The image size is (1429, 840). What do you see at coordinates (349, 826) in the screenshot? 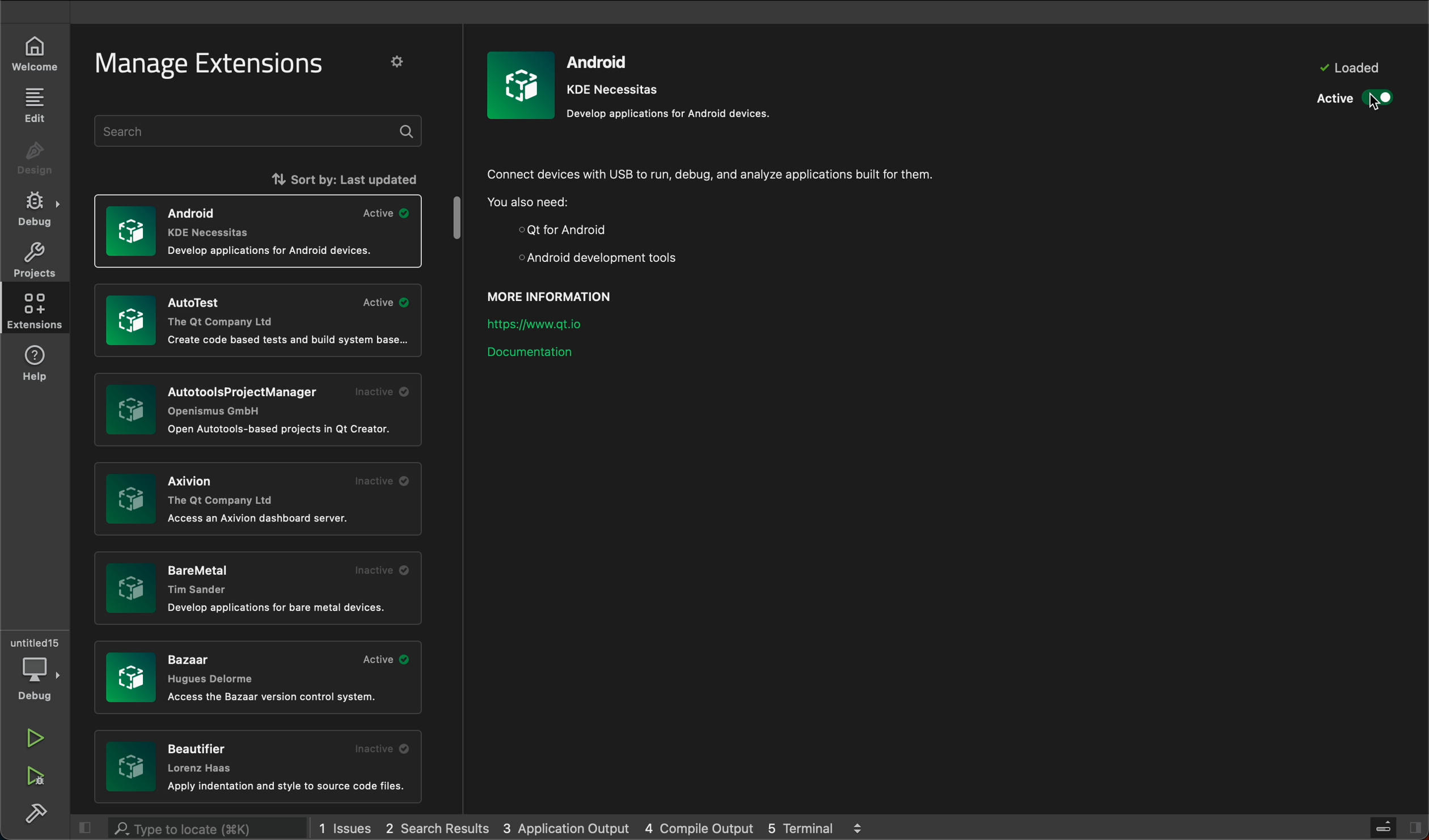
I see `logs` at bounding box center [349, 826].